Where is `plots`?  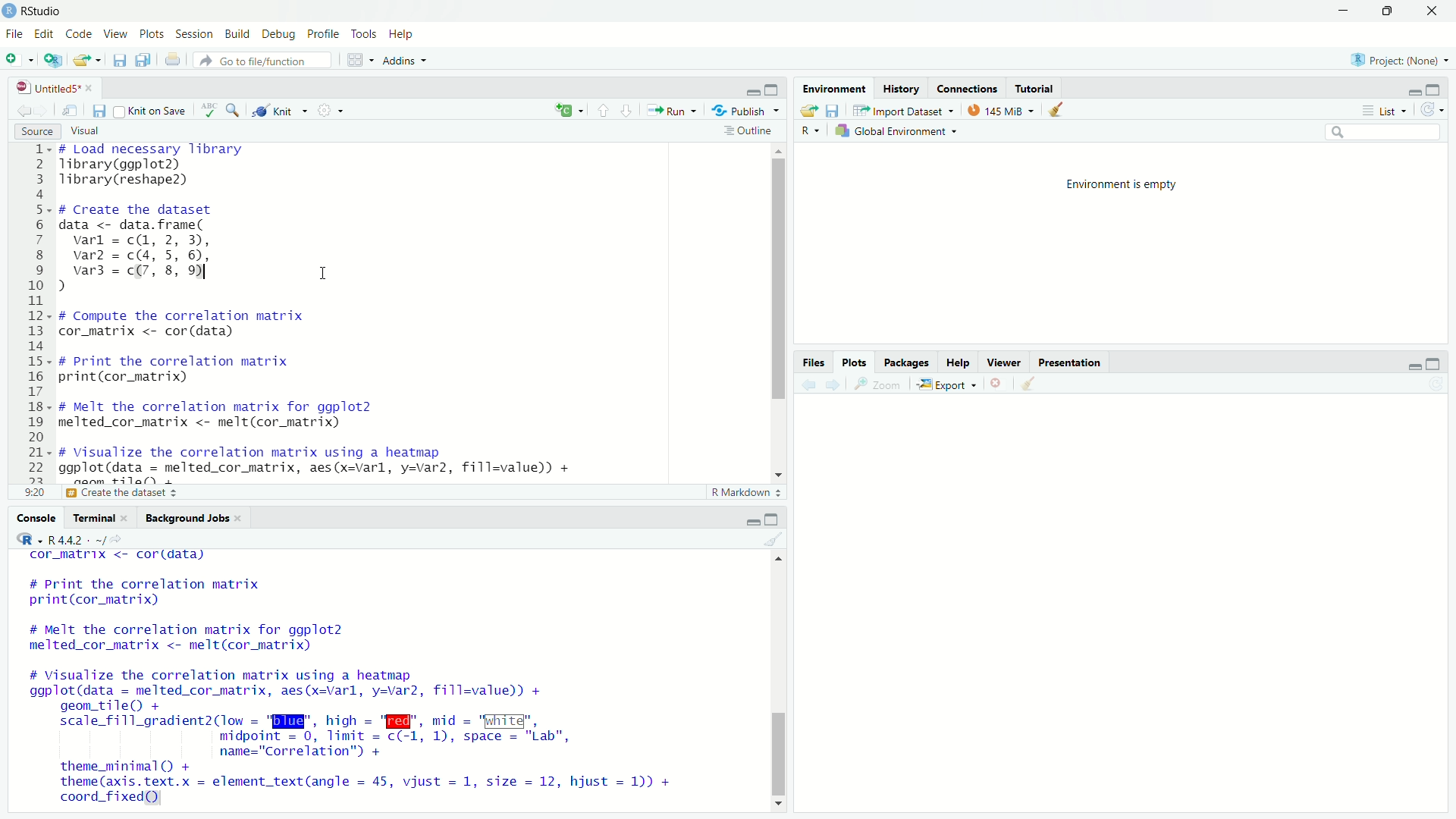
plots is located at coordinates (854, 362).